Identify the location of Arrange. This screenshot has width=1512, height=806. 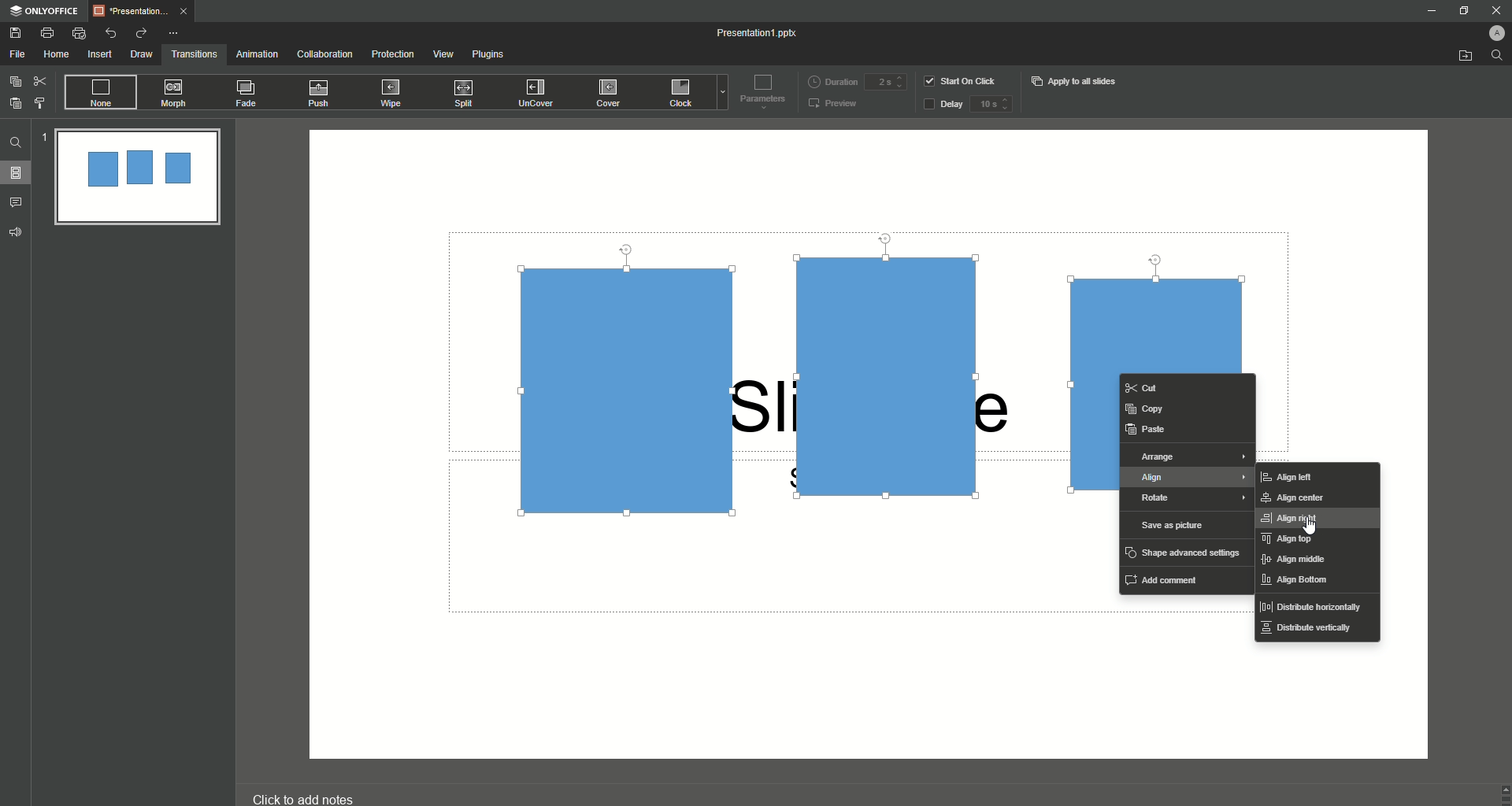
(1189, 457).